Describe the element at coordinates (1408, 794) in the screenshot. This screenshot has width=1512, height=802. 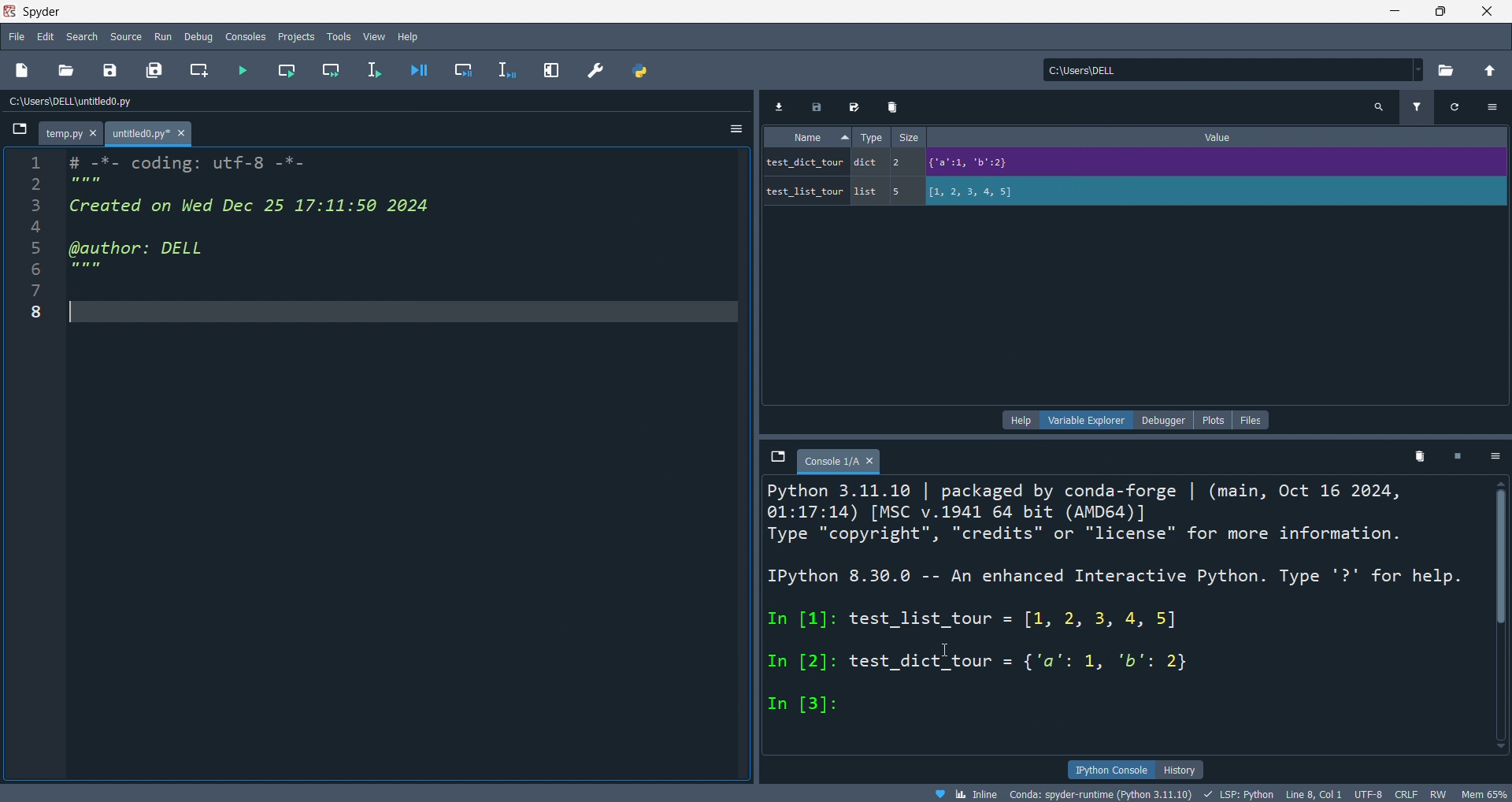
I see `CRLF` at that location.